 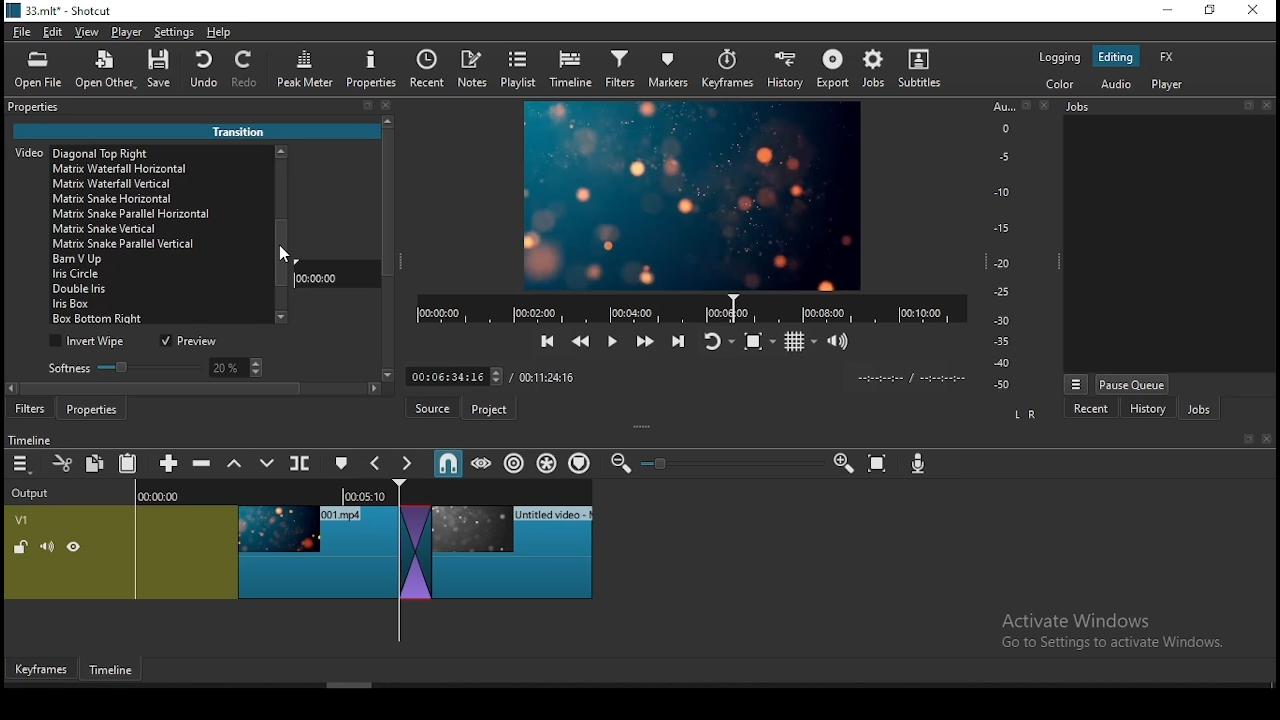 What do you see at coordinates (662, 464) in the screenshot?
I see `` at bounding box center [662, 464].